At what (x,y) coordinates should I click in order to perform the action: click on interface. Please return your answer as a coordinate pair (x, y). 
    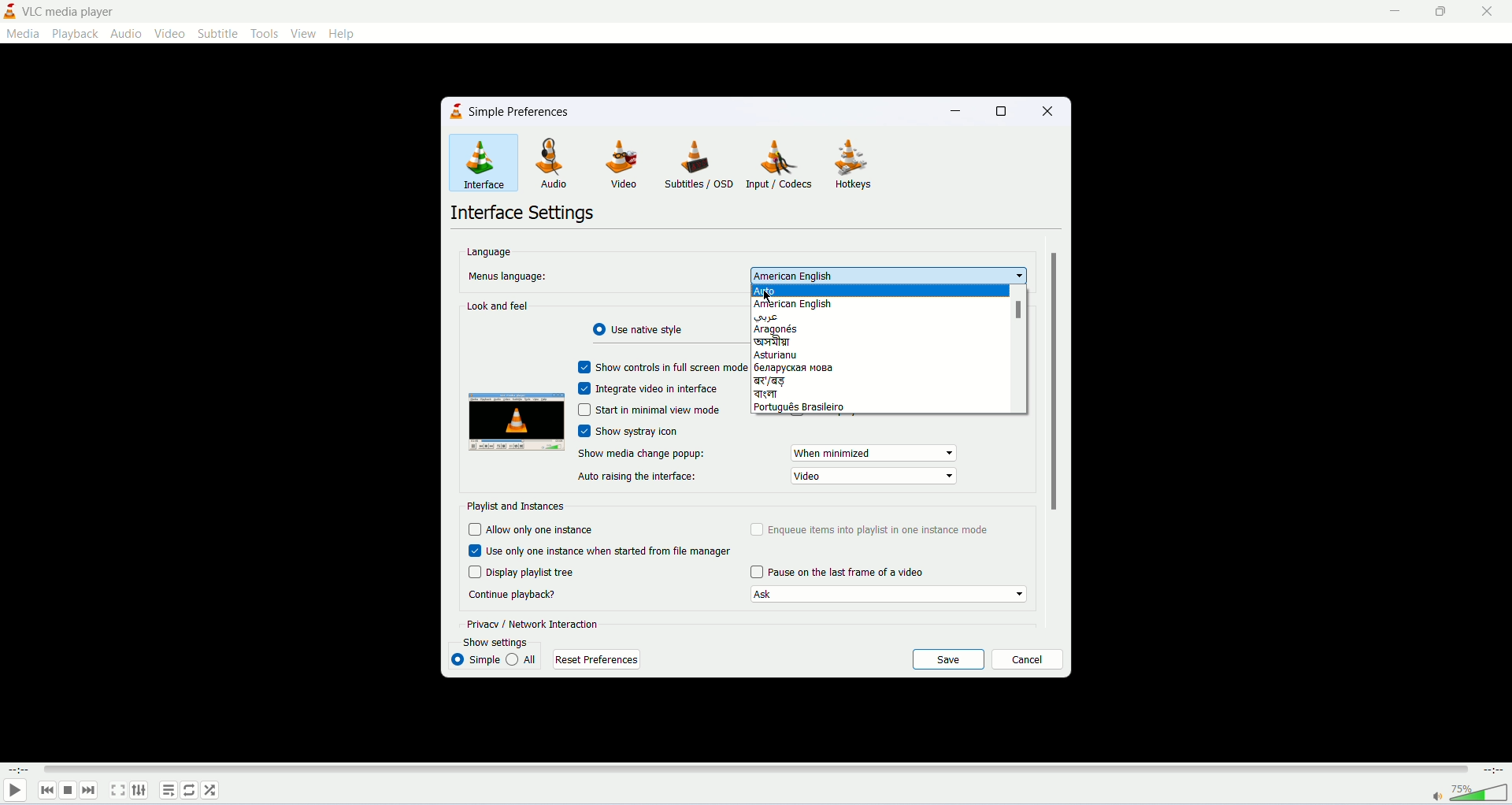
    Looking at the image, I should click on (477, 165).